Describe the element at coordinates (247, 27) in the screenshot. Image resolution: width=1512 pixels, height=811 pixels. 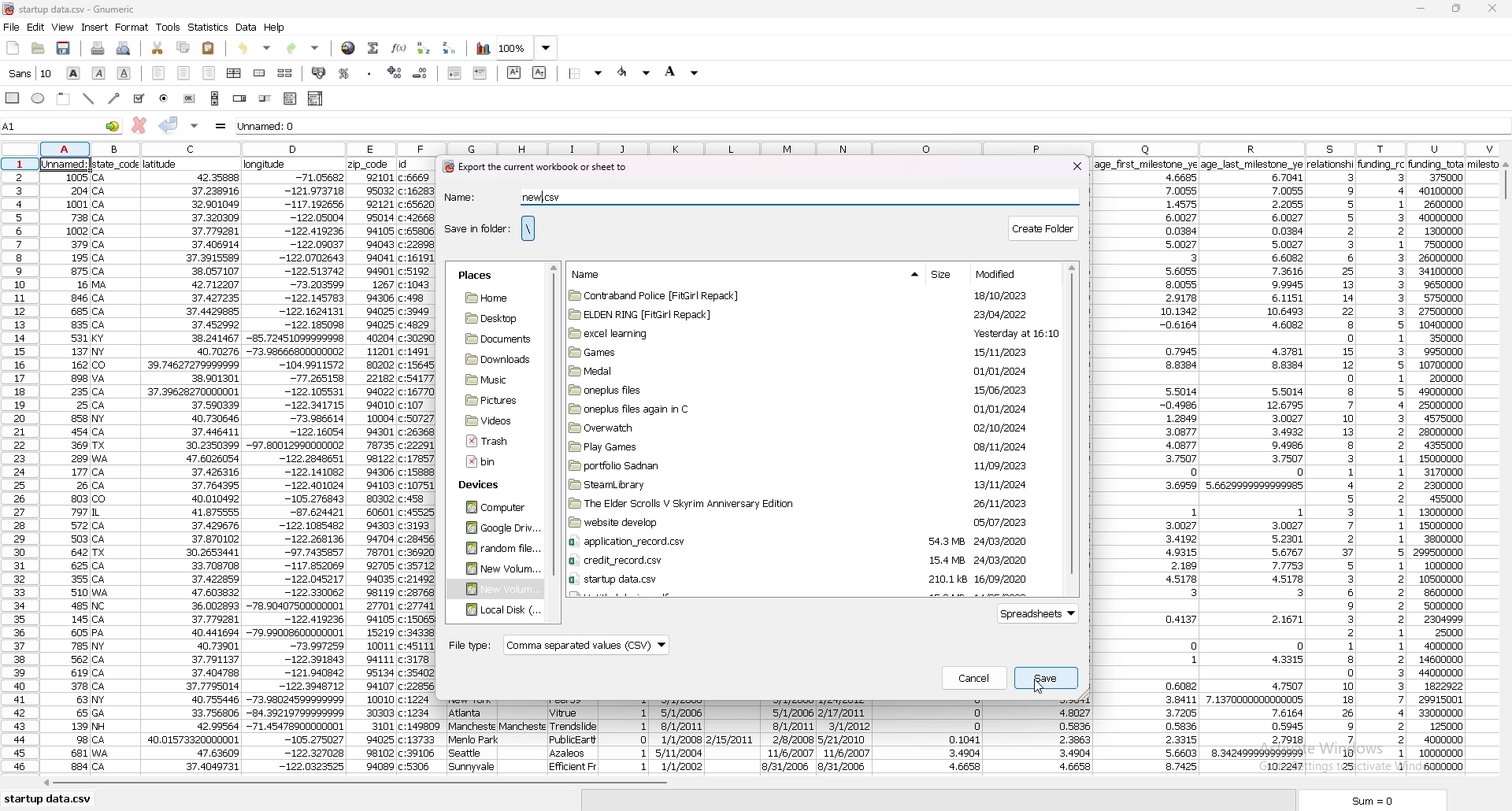
I see `data` at that location.